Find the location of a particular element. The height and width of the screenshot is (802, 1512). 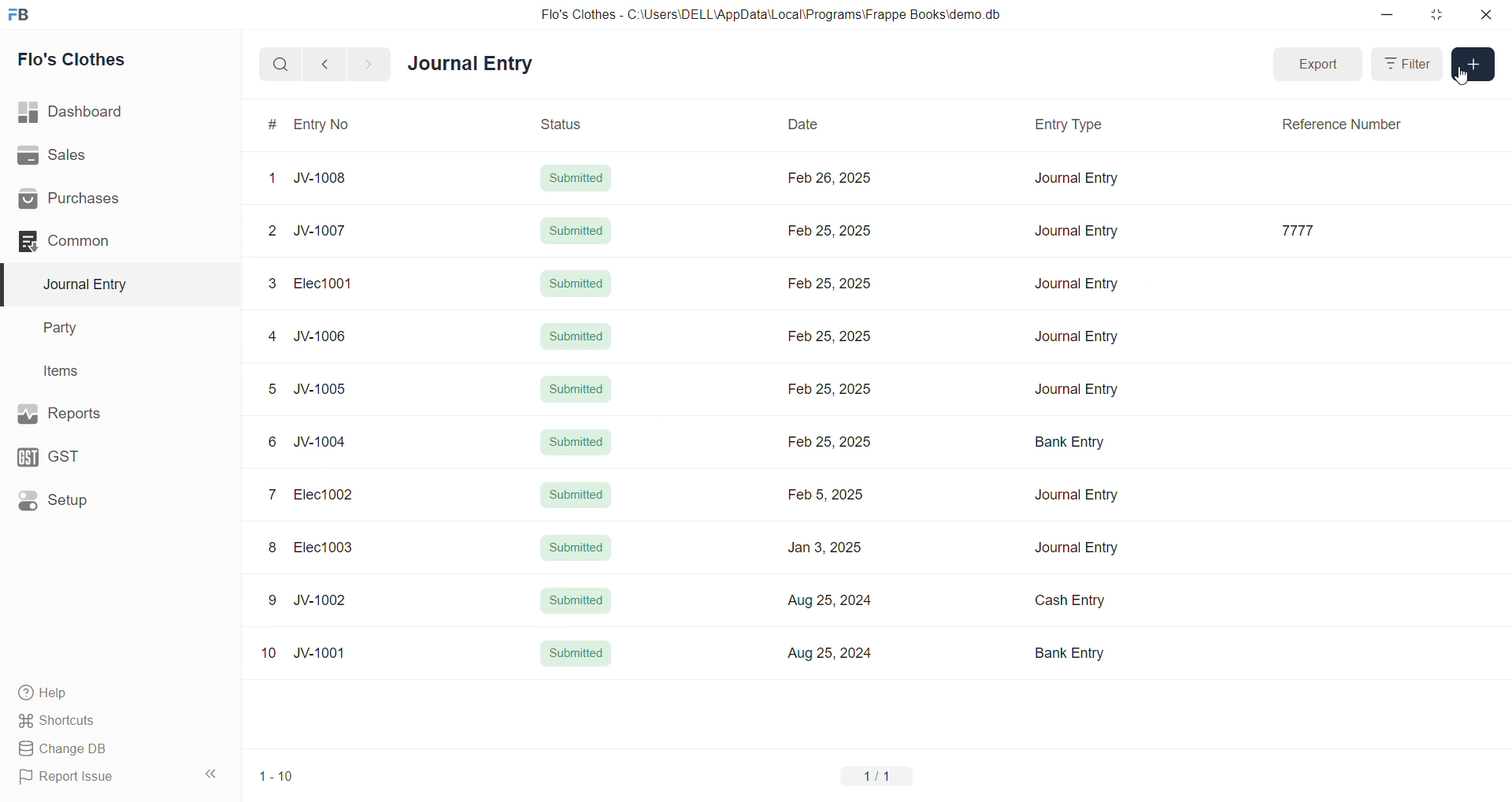

Export is located at coordinates (1321, 66).